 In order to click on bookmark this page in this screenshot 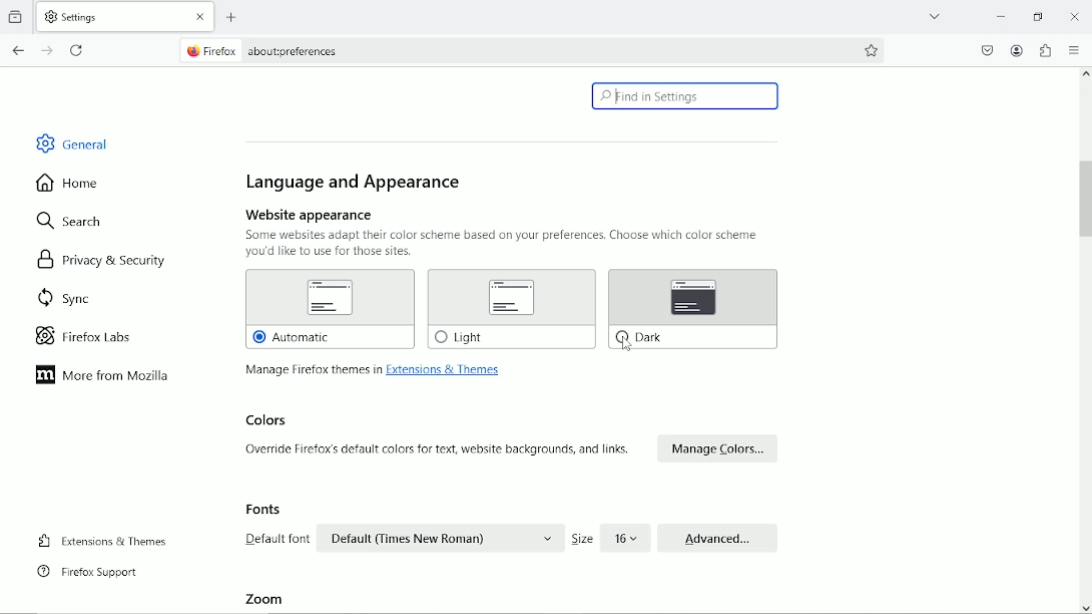, I will do `click(872, 50)`.